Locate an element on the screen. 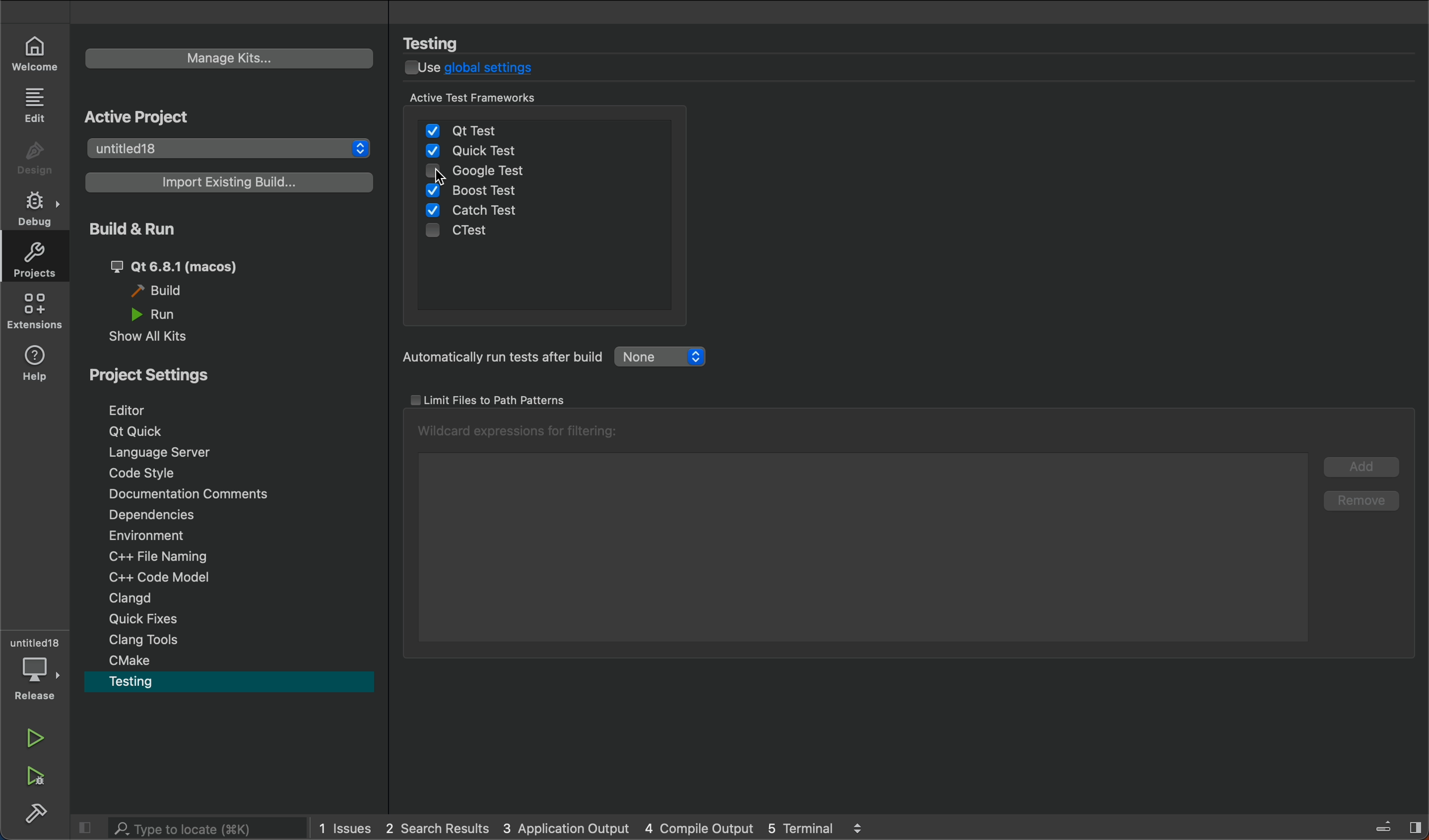 Image resolution: width=1429 pixels, height=840 pixels. debugger is located at coordinates (37, 668).